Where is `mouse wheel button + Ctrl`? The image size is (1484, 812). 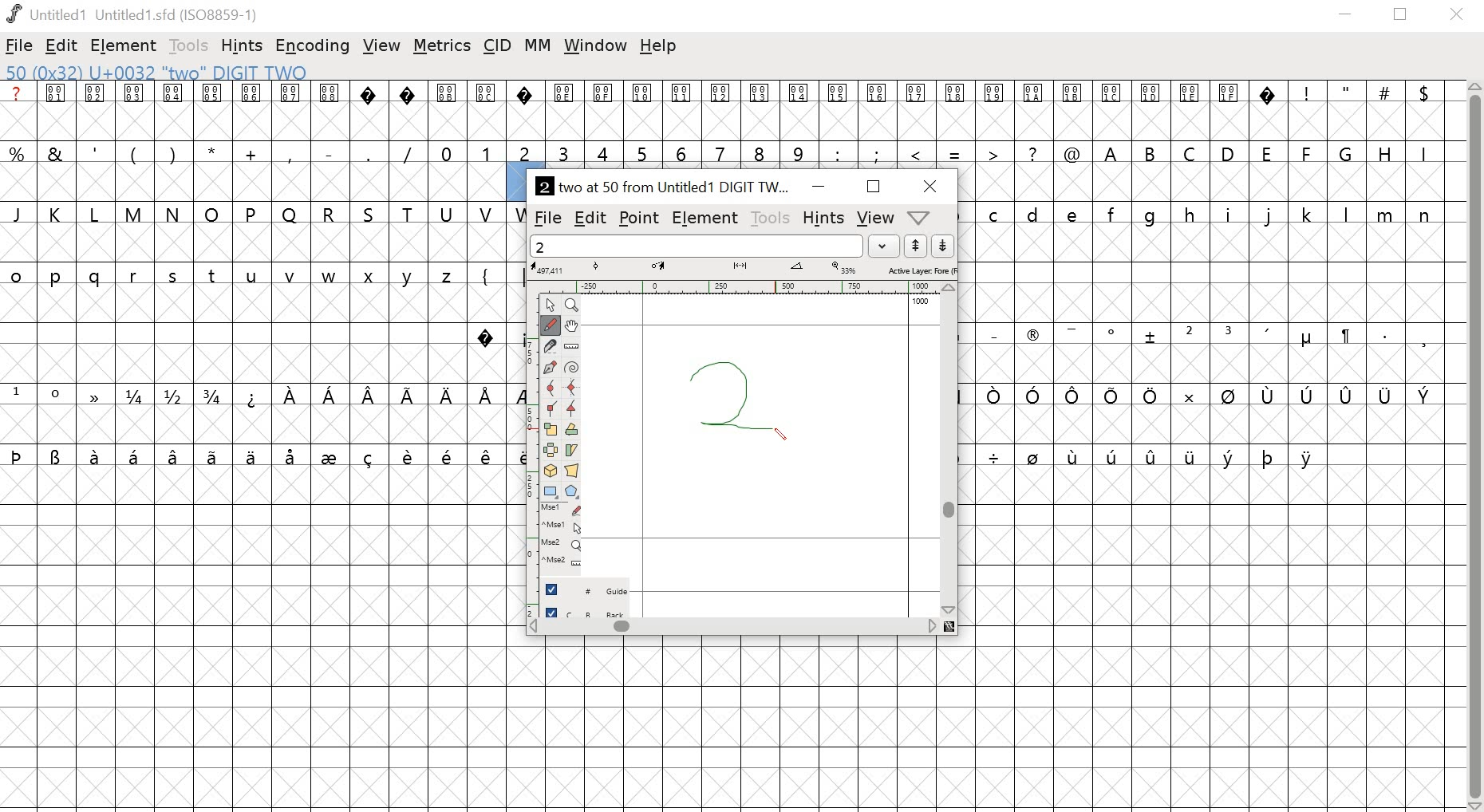
mouse wheel button + Ctrl is located at coordinates (563, 565).